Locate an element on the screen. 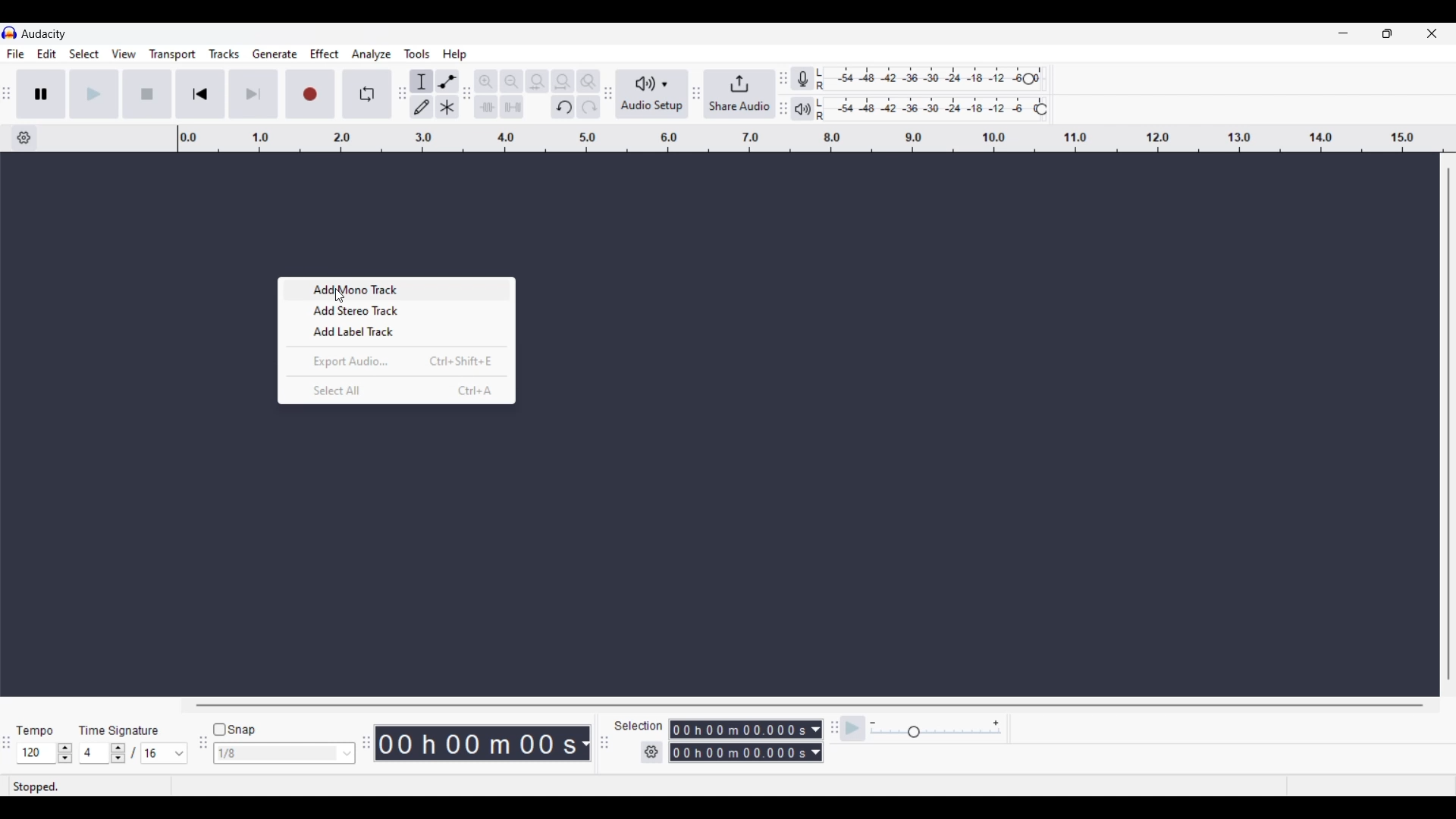 Image resolution: width=1456 pixels, height=819 pixels. Snap toggle is located at coordinates (235, 730).